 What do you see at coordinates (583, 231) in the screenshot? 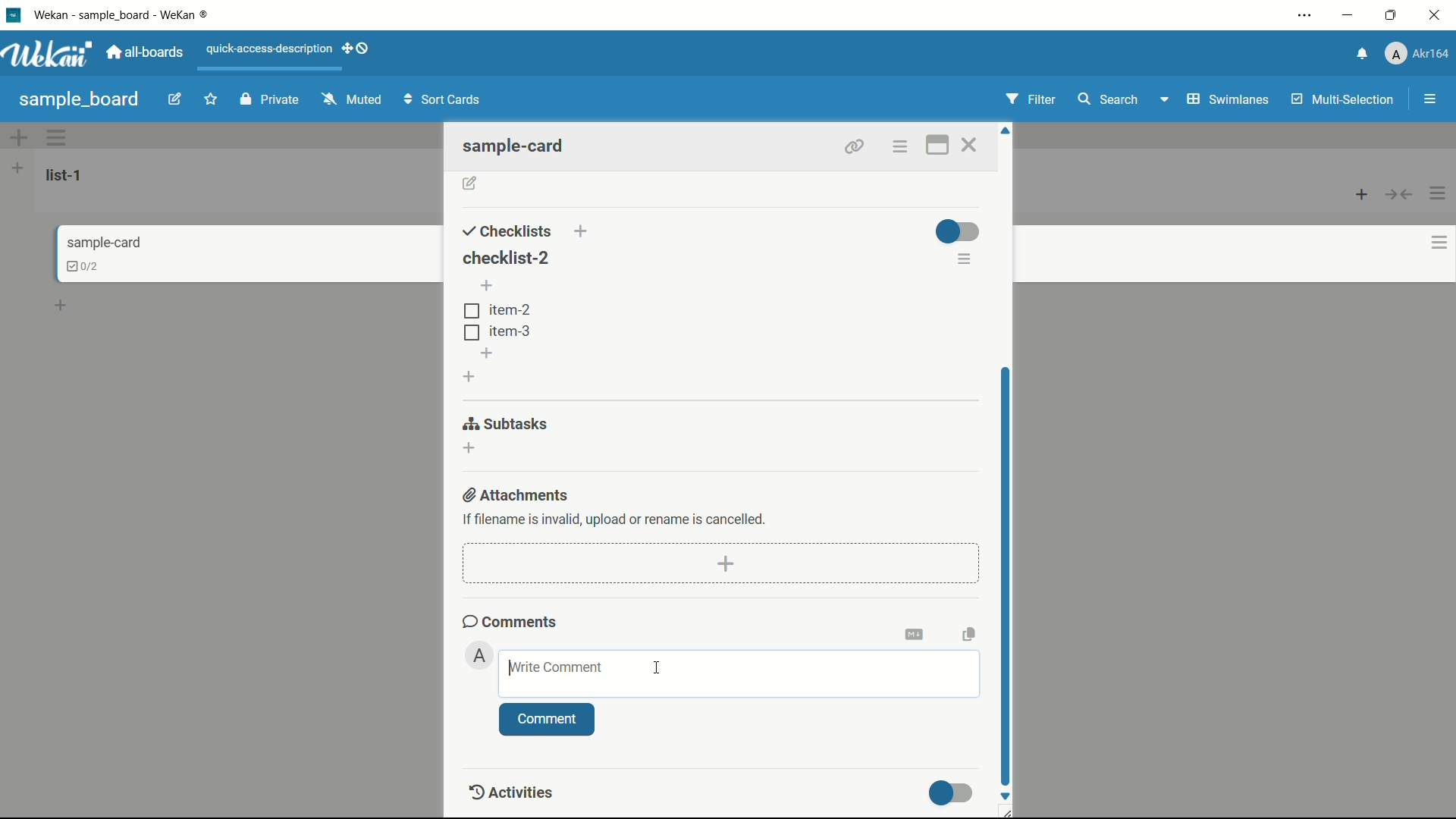
I see `add checklist` at bounding box center [583, 231].